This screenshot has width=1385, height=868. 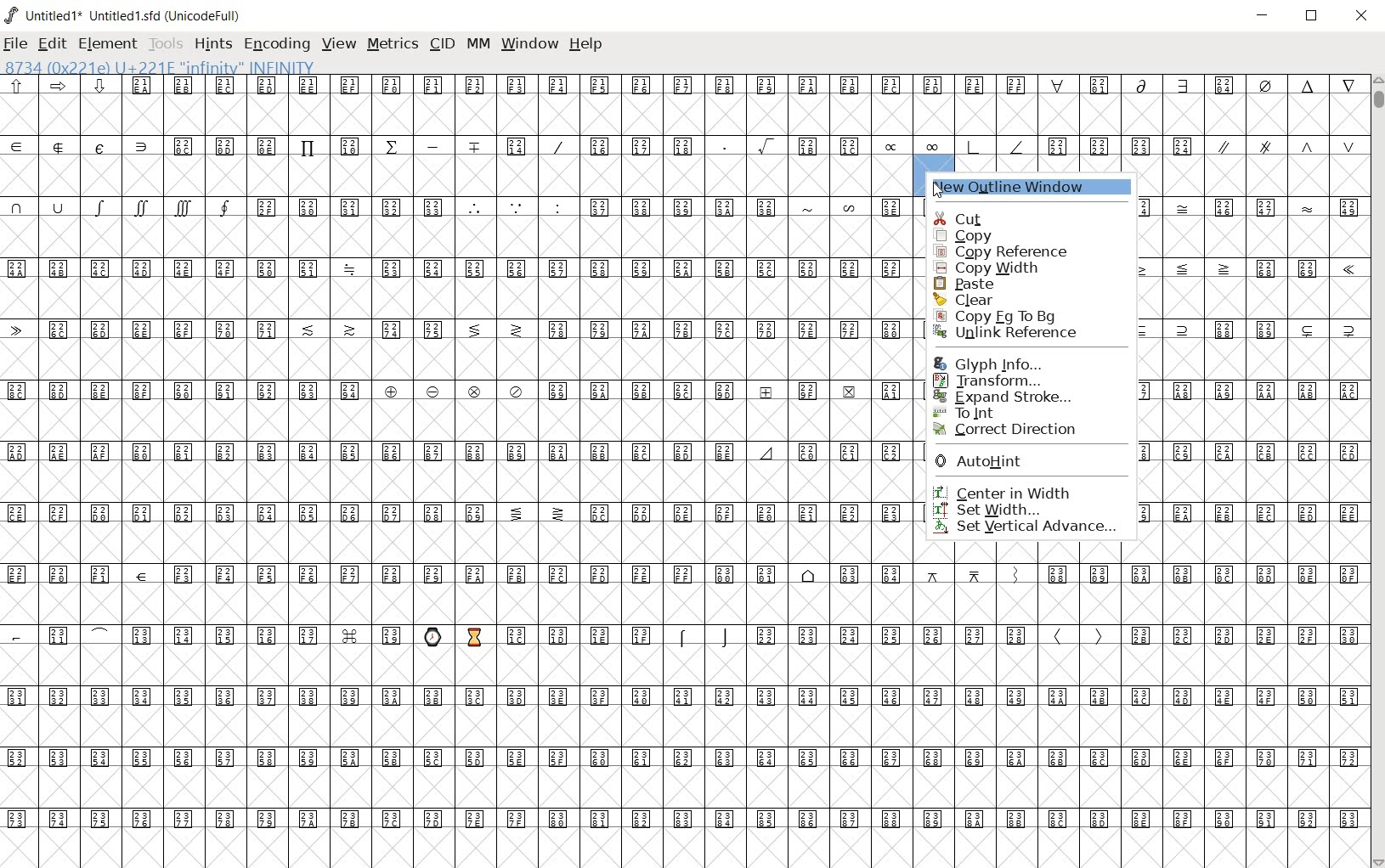 What do you see at coordinates (1145, 208) in the screenshot?
I see `Unicode code points` at bounding box center [1145, 208].